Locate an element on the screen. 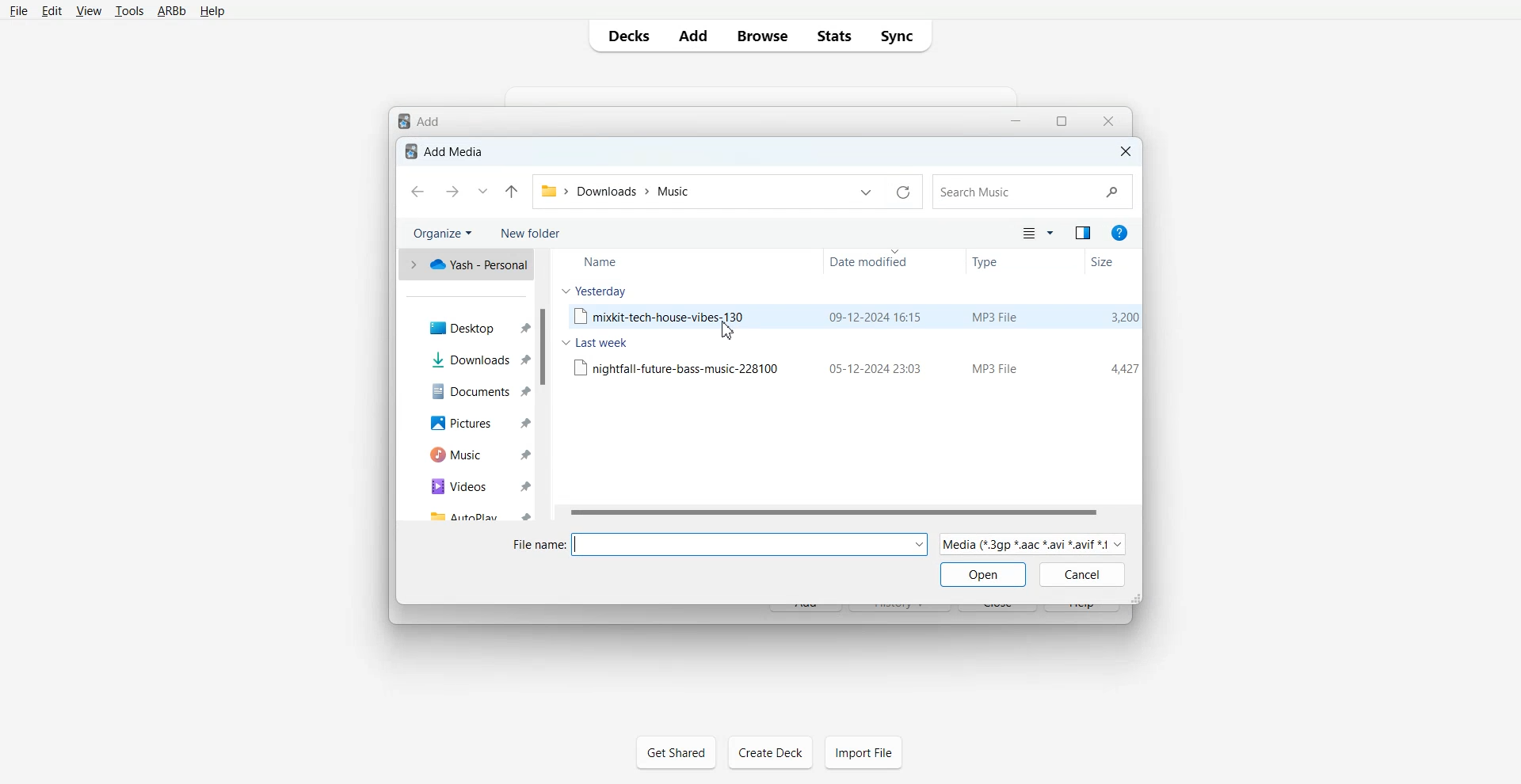 Image resolution: width=1521 pixels, height=784 pixels. Change of view is located at coordinates (1036, 234).